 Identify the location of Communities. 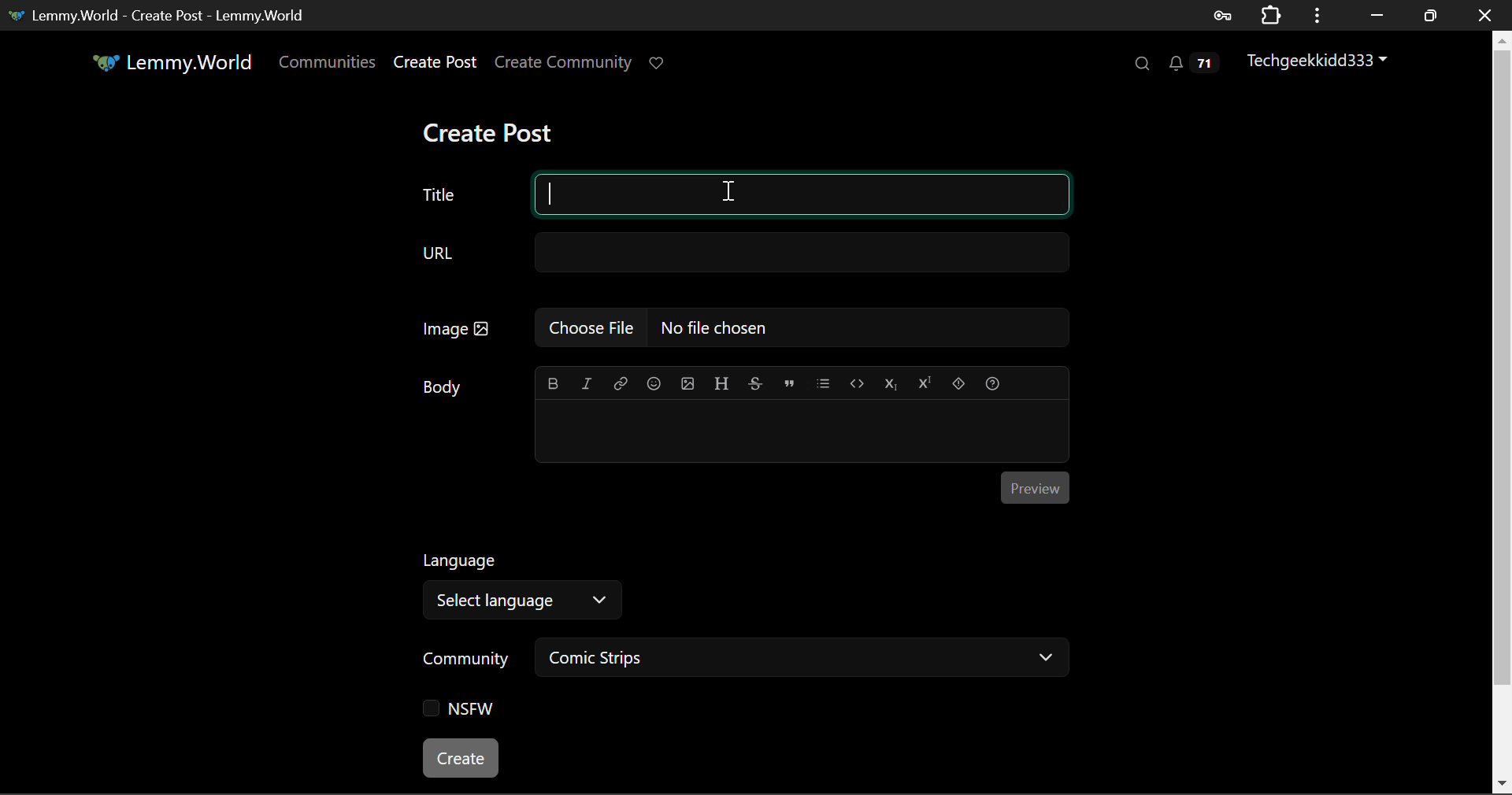
(329, 65).